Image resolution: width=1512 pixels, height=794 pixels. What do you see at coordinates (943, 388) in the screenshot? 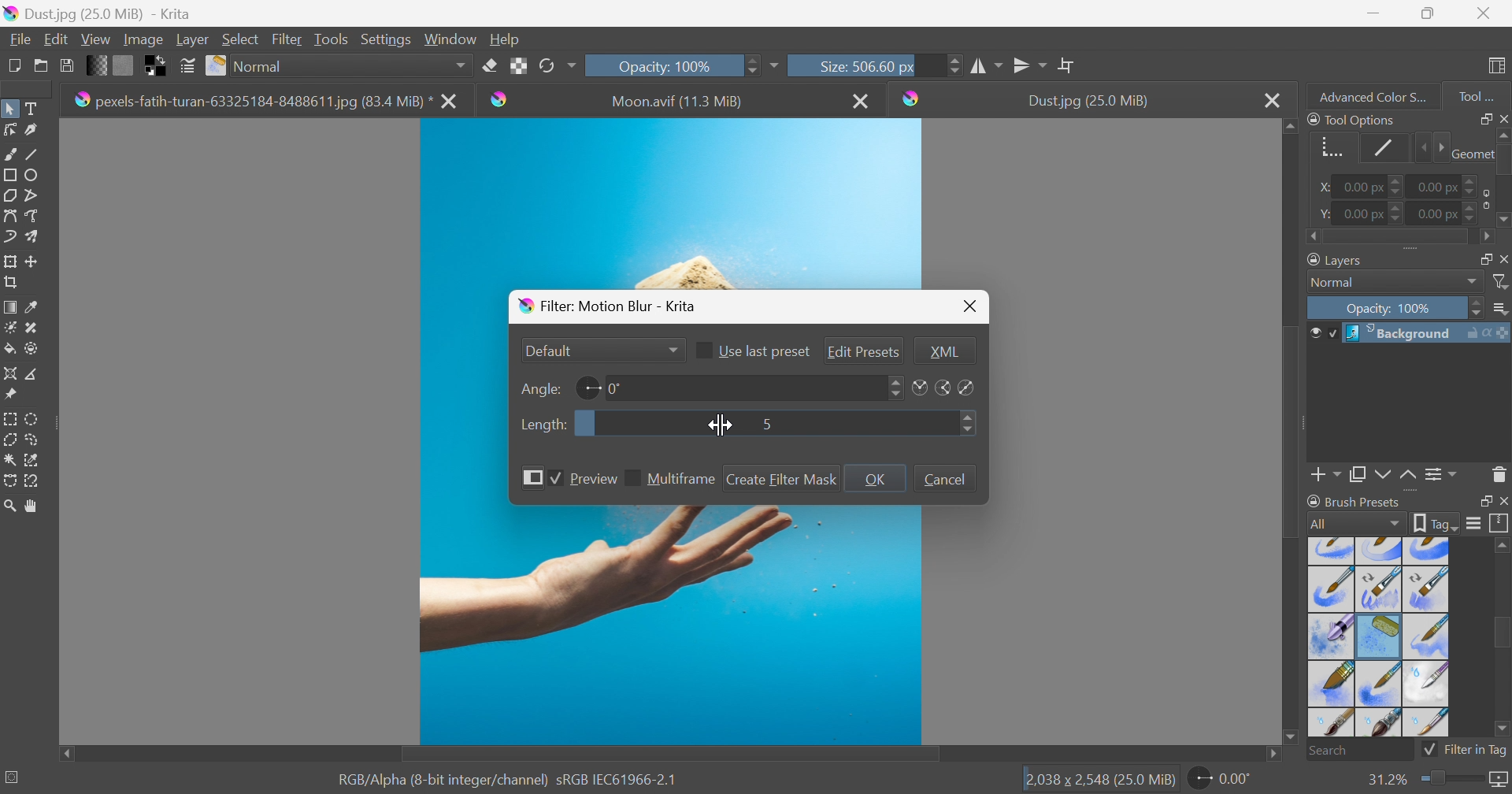
I see `Angles` at bounding box center [943, 388].